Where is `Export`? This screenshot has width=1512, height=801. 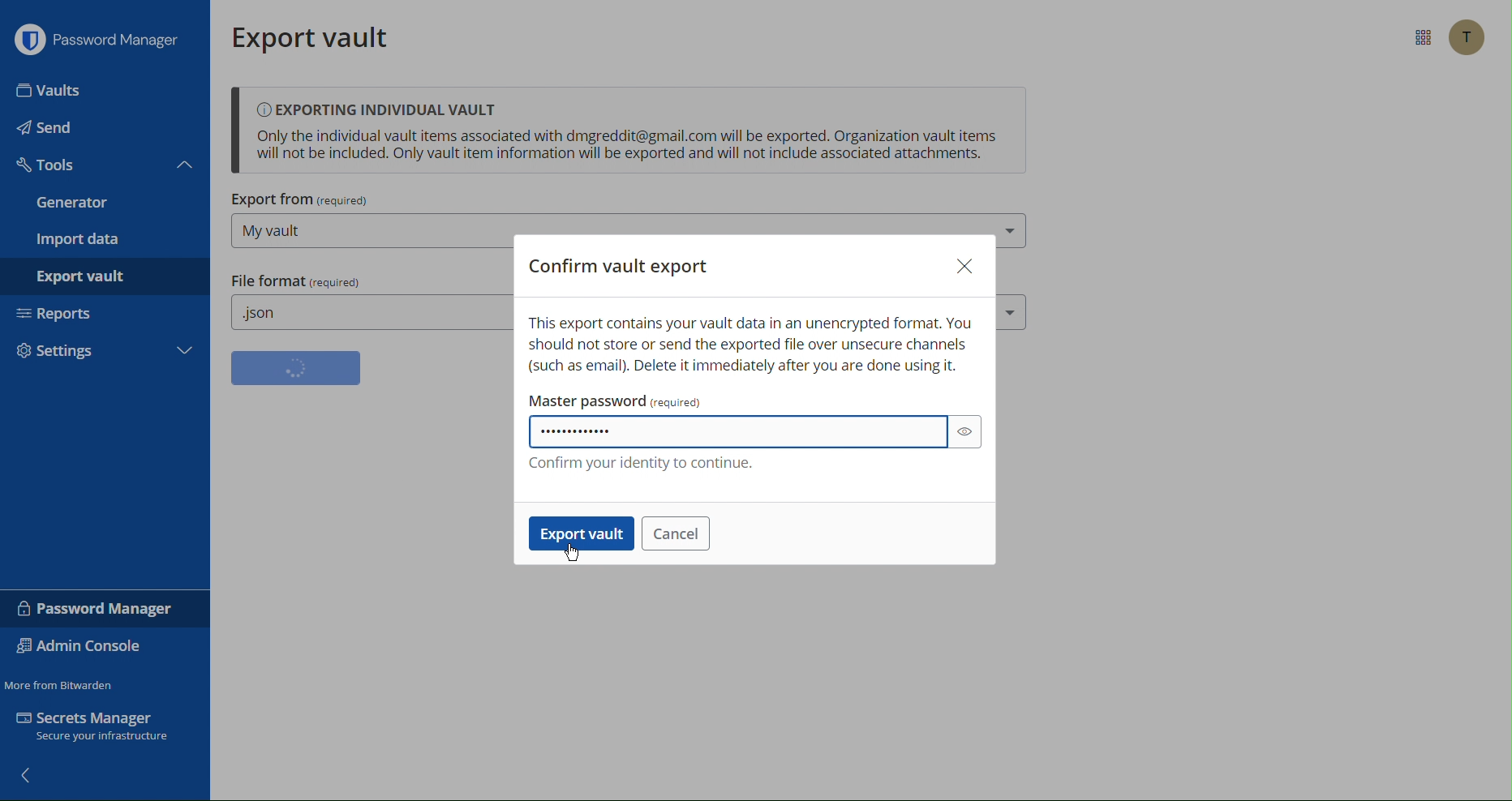 Export is located at coordinates (85, 275).